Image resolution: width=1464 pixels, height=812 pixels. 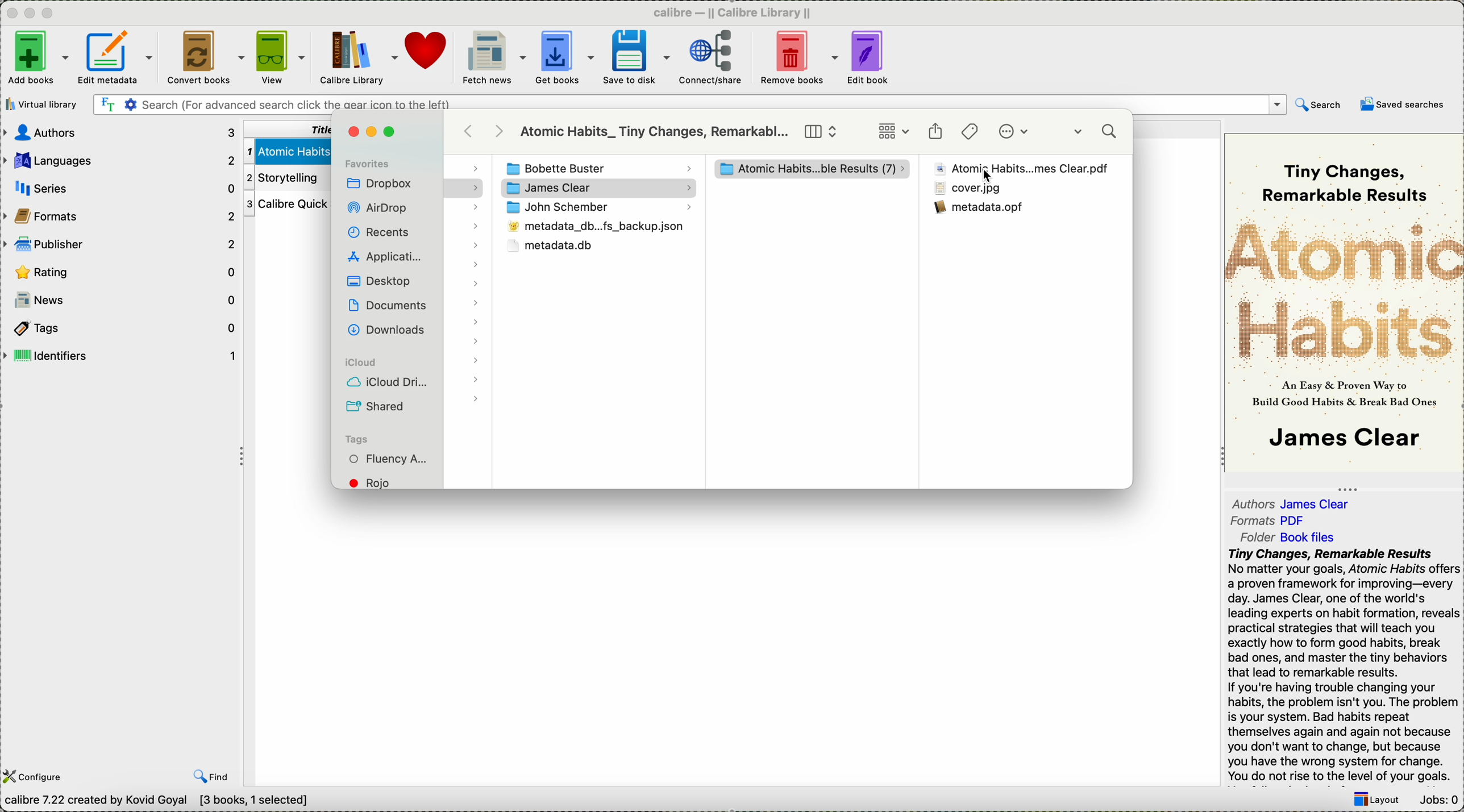 I want to click on metadata.db, so click(x=550, y=247).